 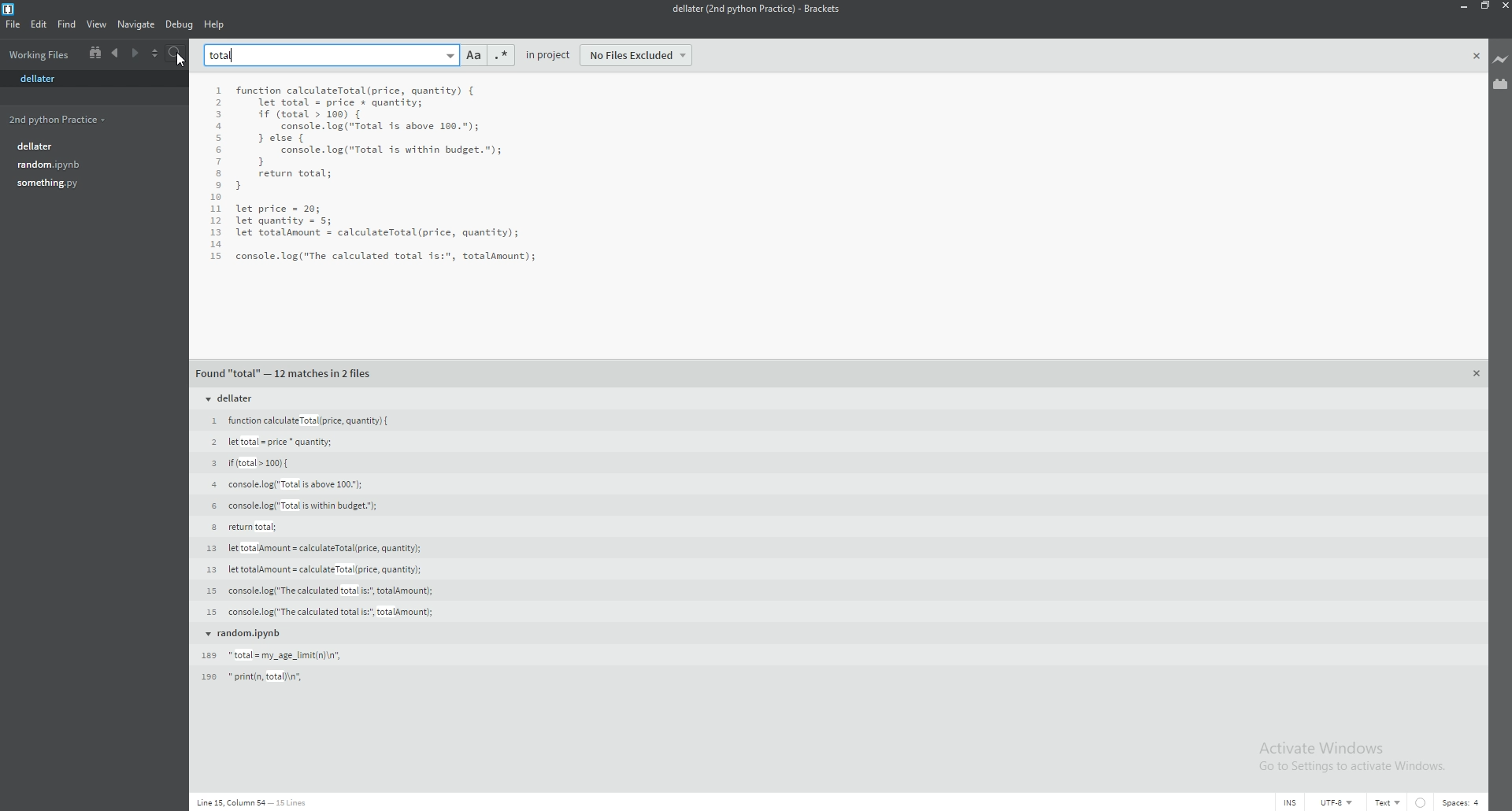 What do you see at coordinates (1501, 84) in the screenshot?
I see `extension manager` at bounding box center [1501, 84].